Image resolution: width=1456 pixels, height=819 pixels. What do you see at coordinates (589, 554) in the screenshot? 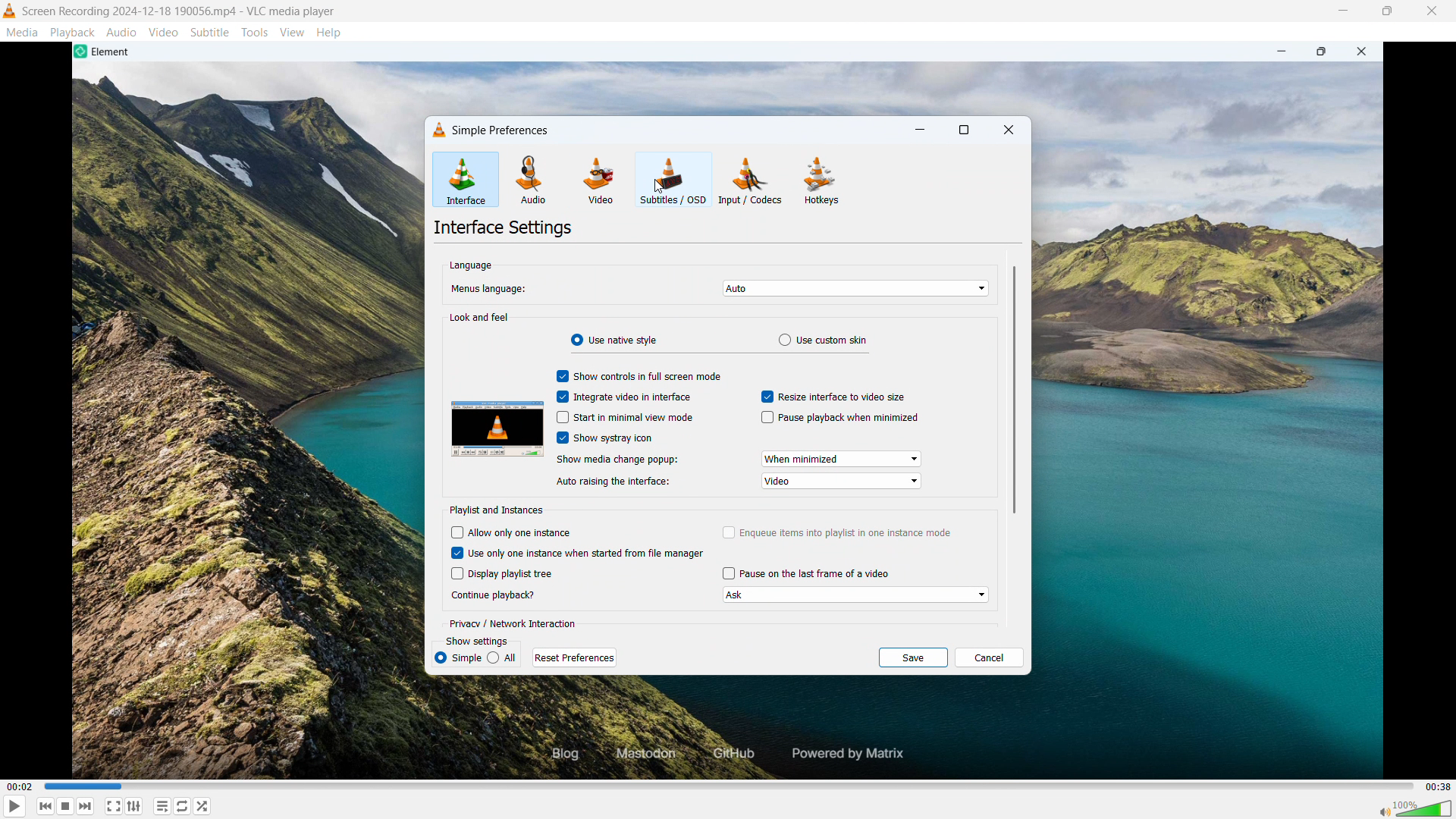
I see `Use only one instance when started from file manager ` at bounding box center [589, 554].